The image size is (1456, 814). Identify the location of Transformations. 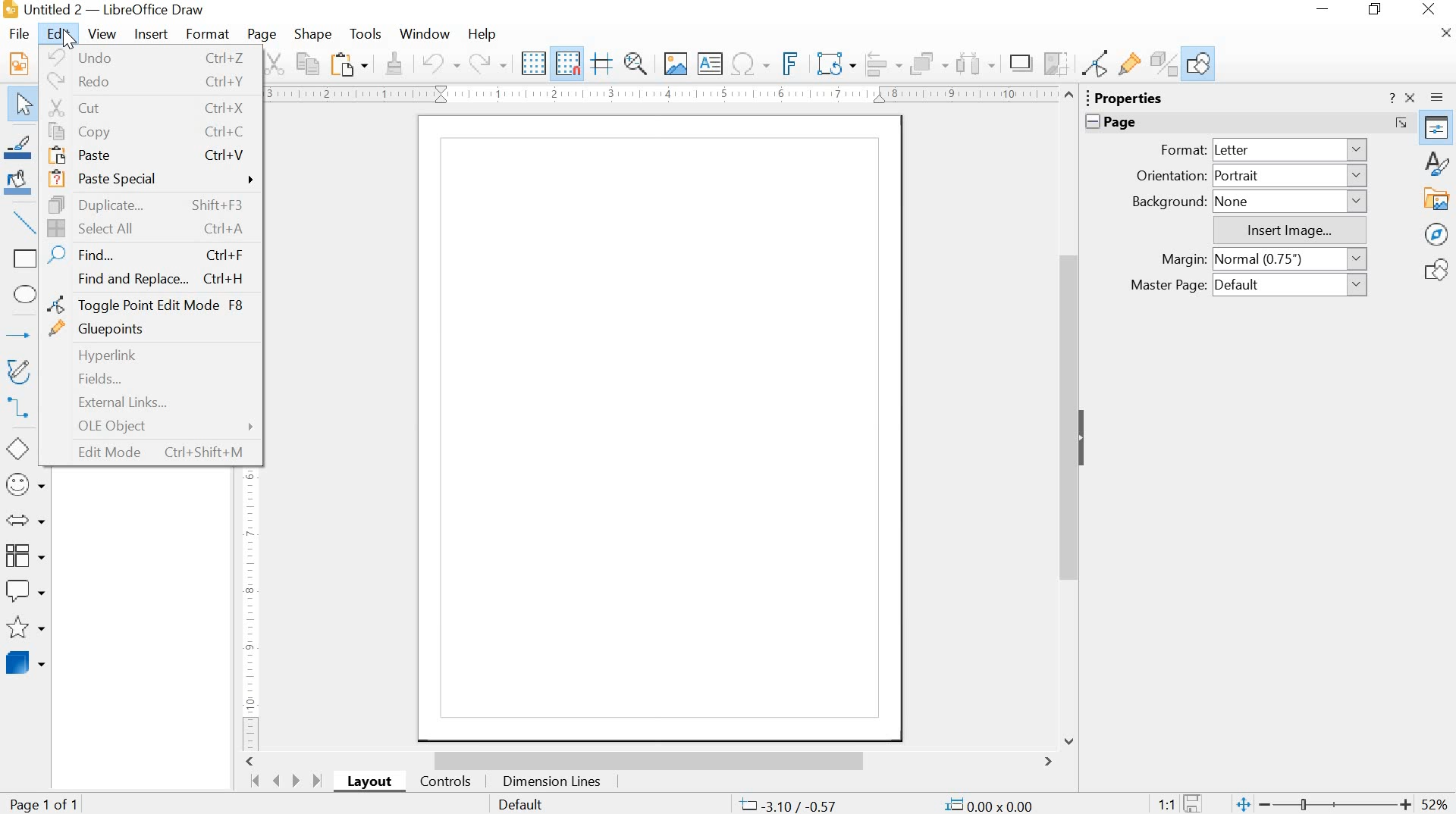
(833, 63).